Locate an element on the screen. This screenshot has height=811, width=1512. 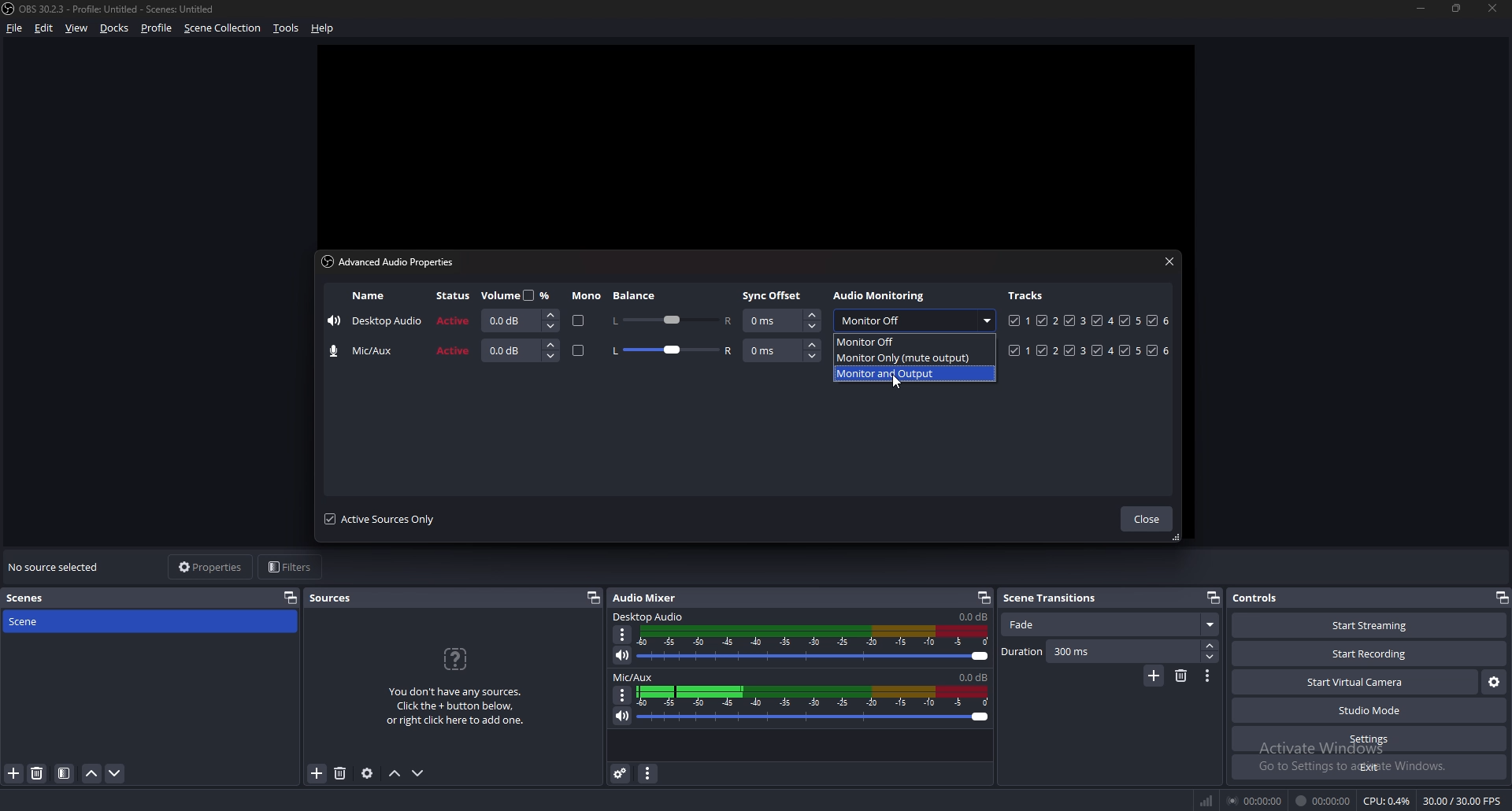
desktop audio sound is located at coordinates (973, 617).